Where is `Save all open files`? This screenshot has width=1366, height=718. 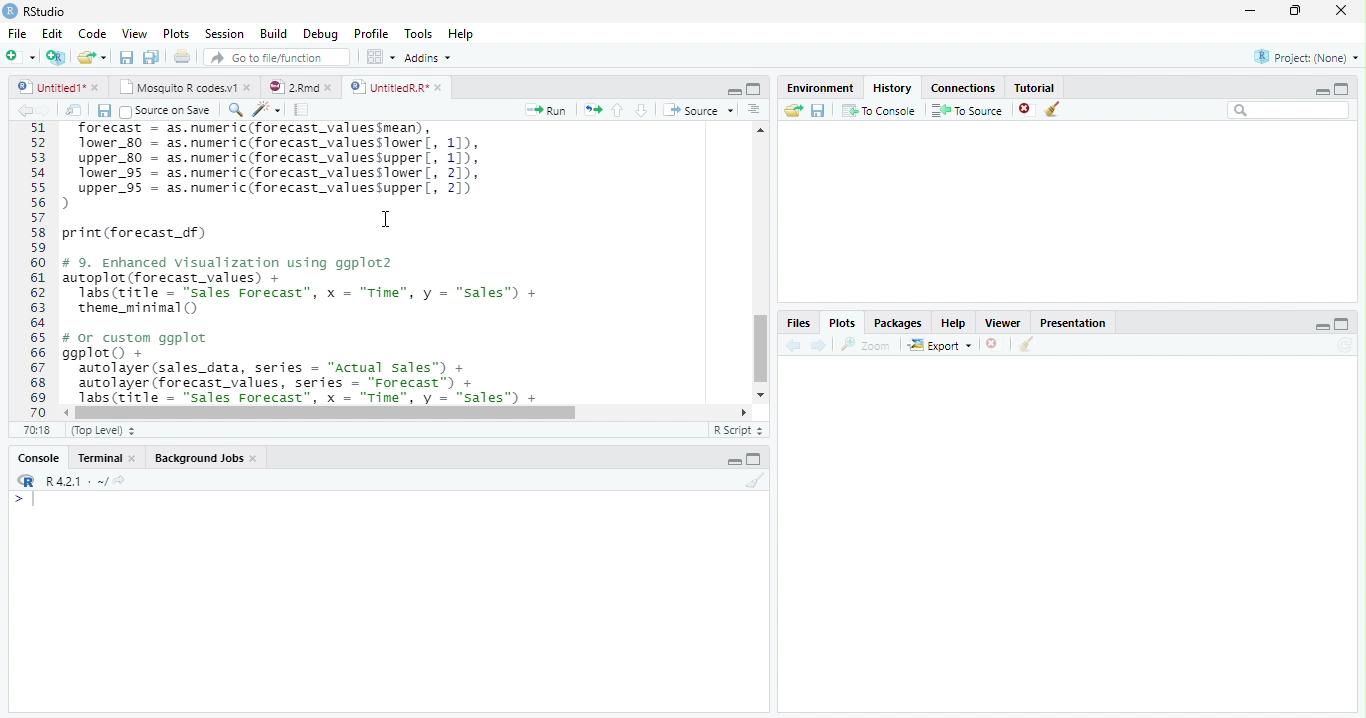
Save all open files is located at coordinates (152, 57).